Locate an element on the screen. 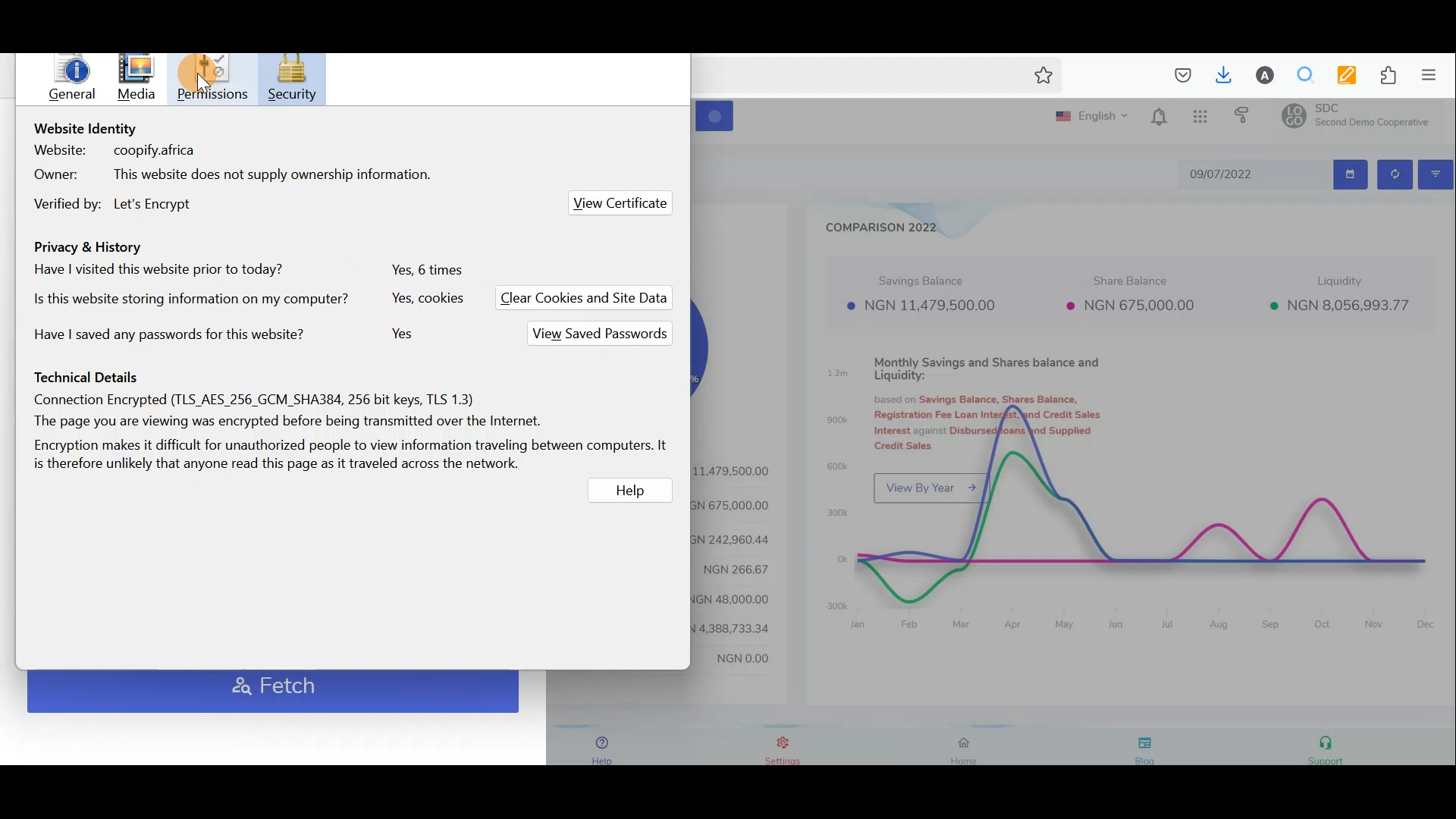  Privacy & History is located at coordinates (245, 293).